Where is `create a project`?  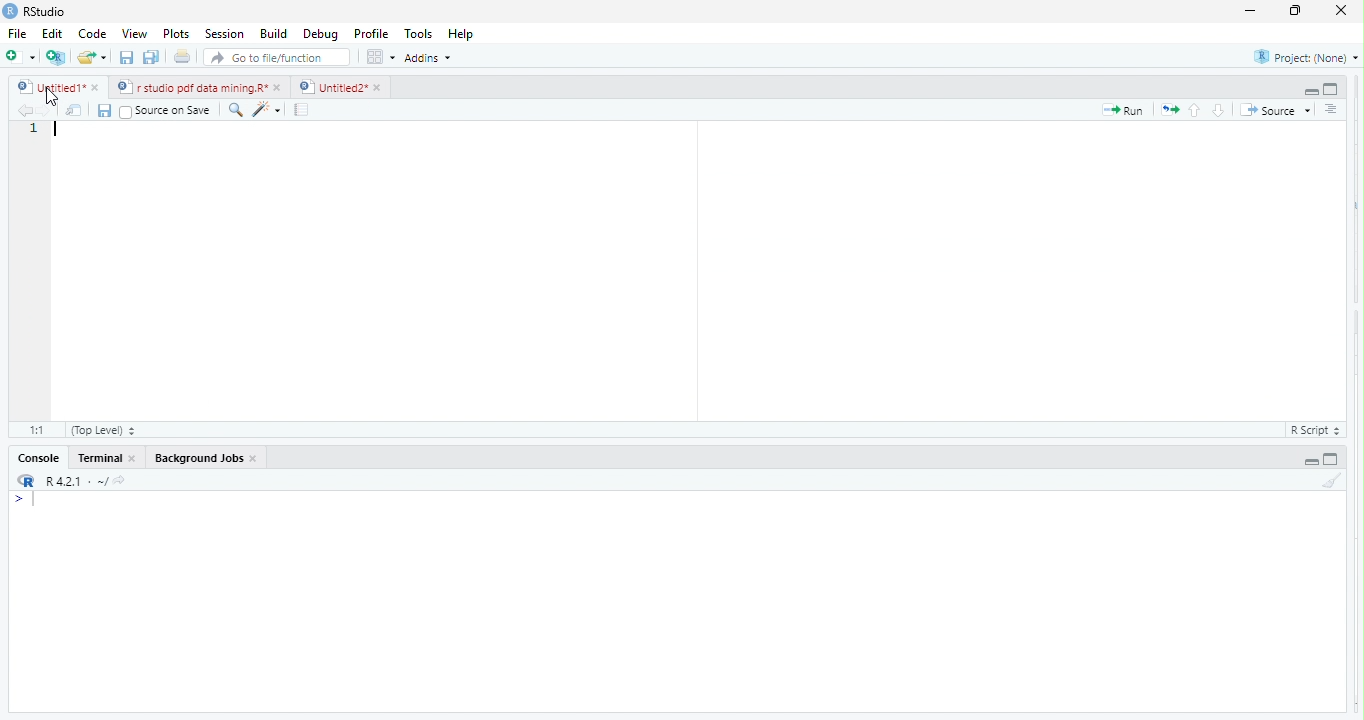
create a project is located at coordinates (54, 57).